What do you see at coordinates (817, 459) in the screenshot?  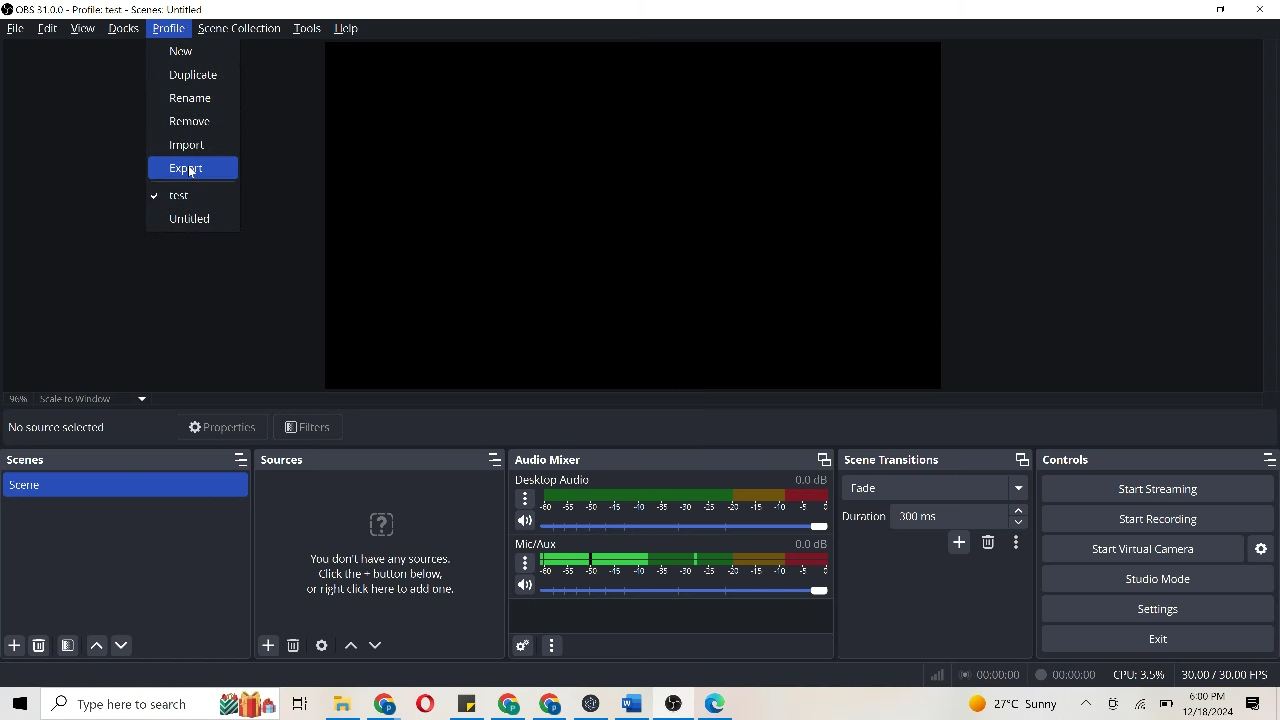 I see `screen resize` at bounding box center [817, 459].